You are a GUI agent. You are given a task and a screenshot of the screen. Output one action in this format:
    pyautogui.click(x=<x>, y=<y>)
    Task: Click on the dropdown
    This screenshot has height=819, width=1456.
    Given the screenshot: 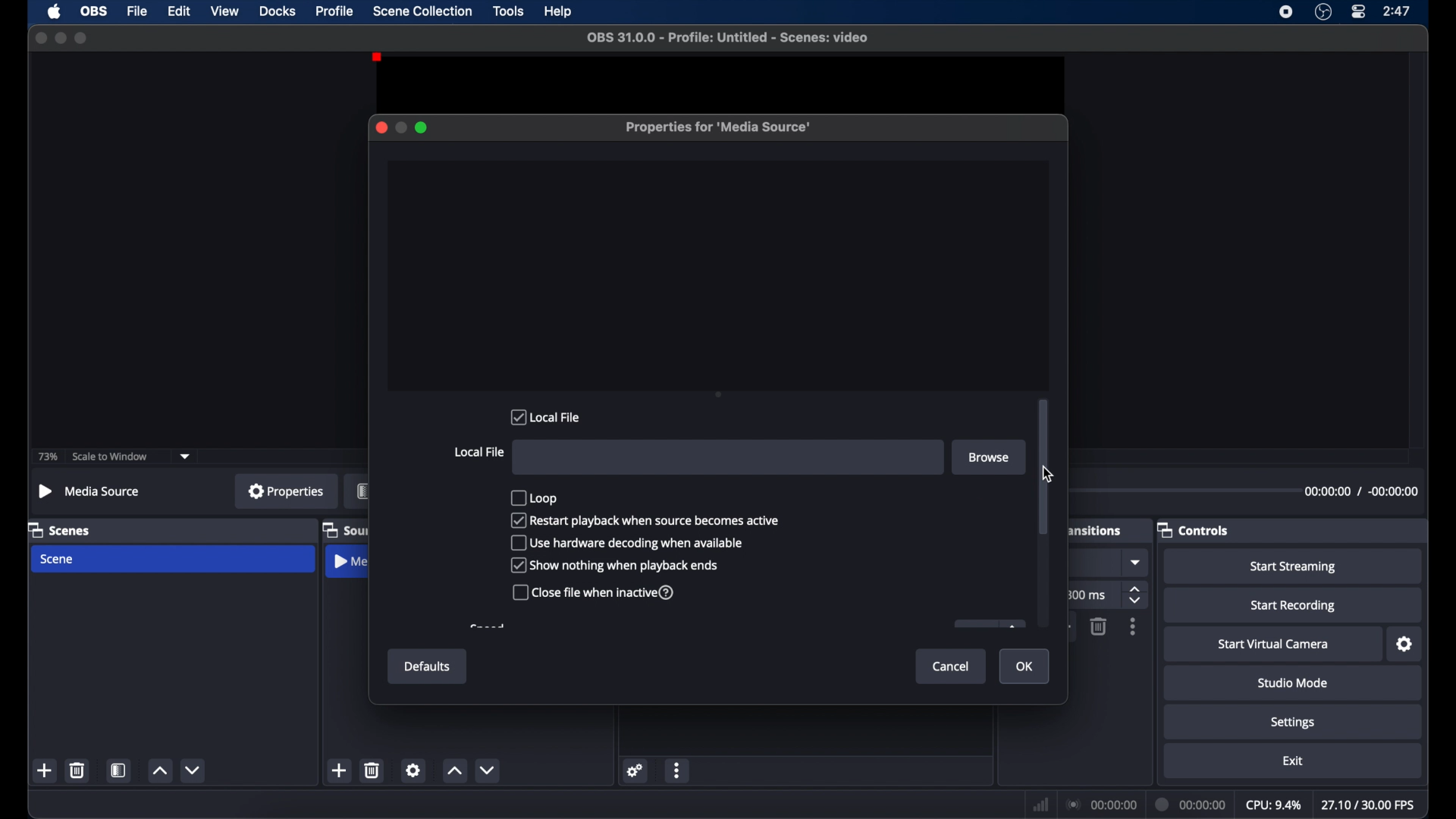 What is the action you would take?
    pyautogui.click(x=1137, y=562)
    